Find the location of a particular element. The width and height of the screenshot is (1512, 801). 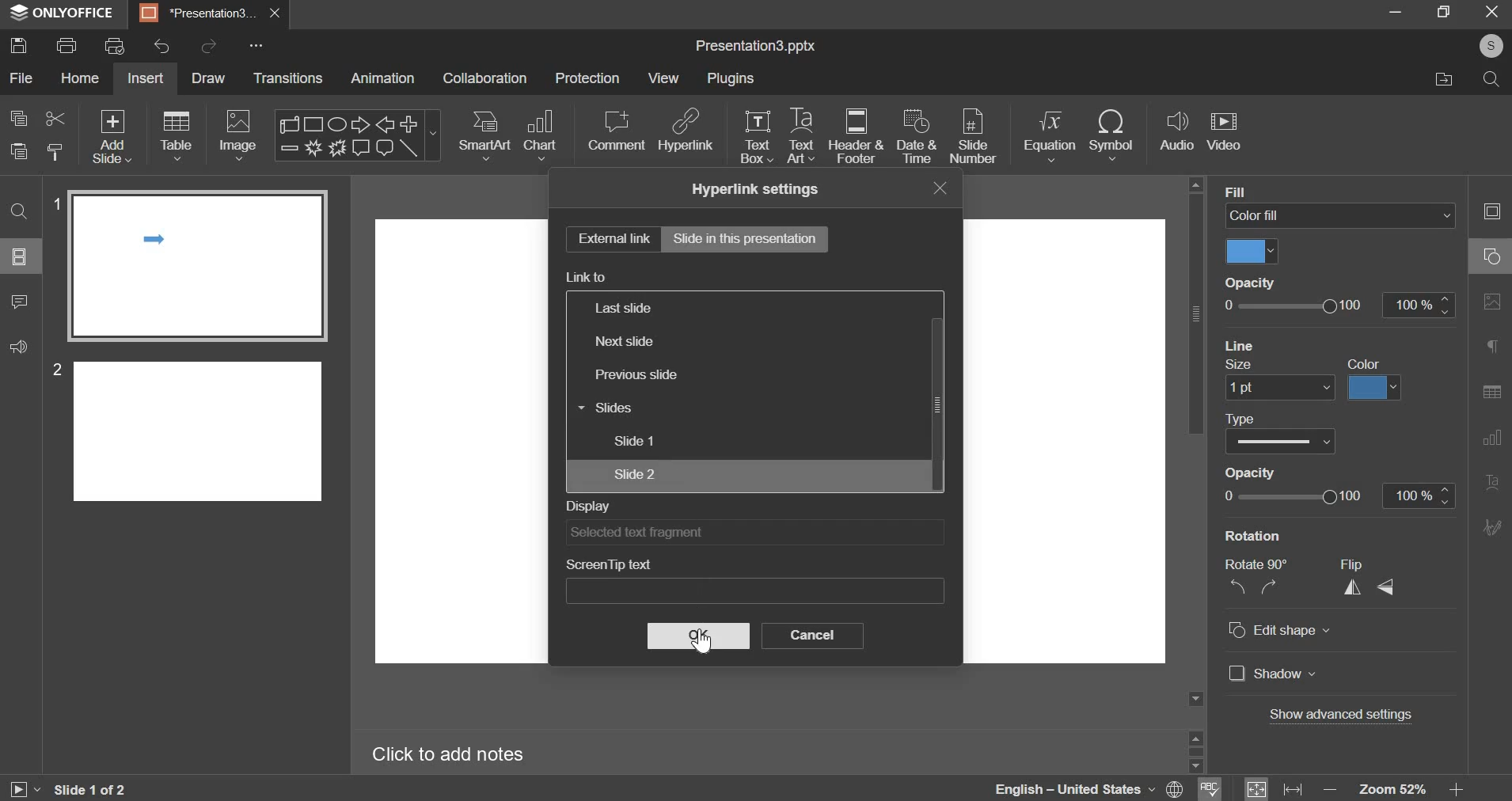

link to is located at coordinates (587, 277).